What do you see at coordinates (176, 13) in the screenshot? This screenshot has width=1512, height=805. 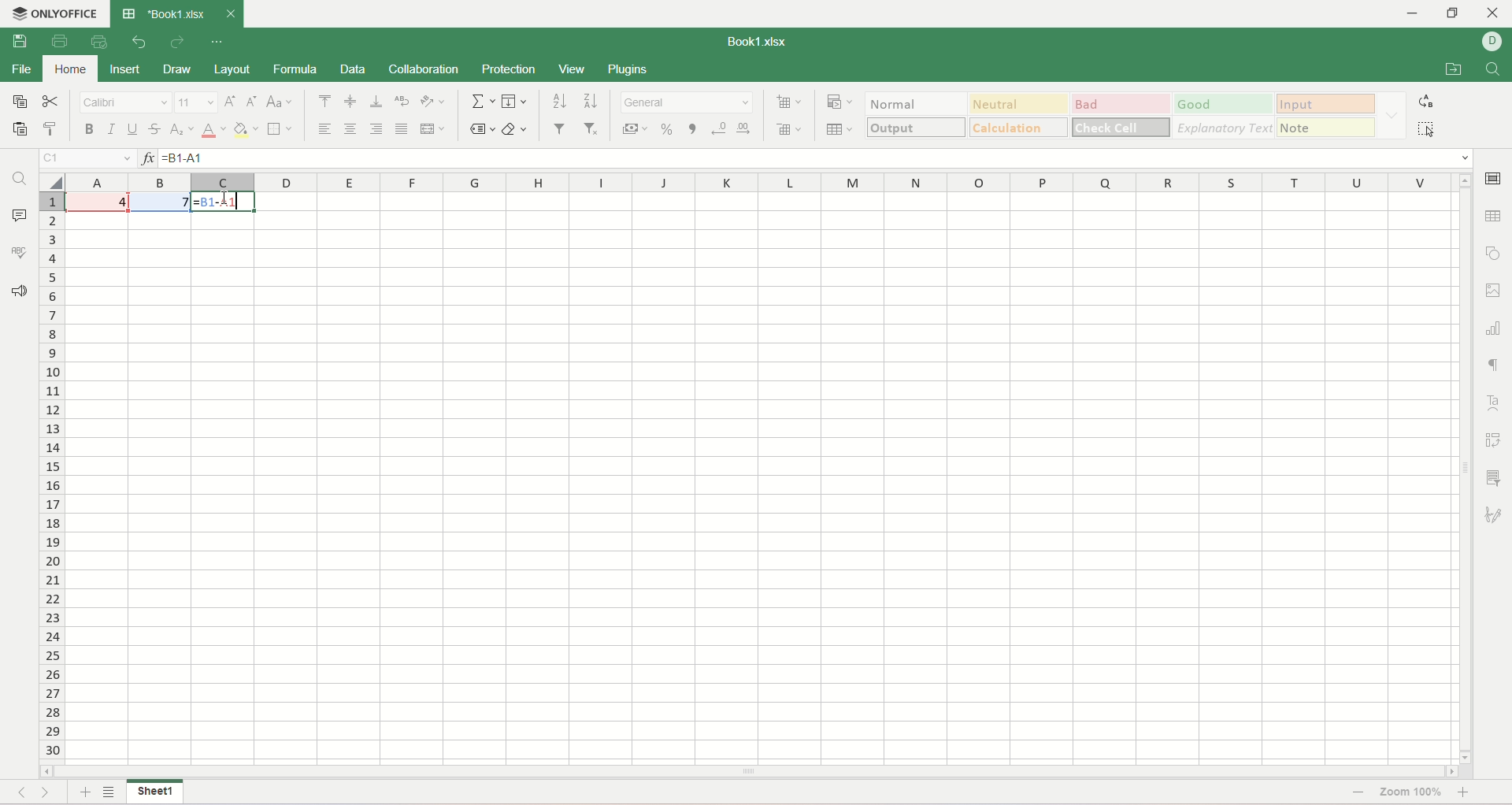 I see `book1.docx` at bounding box center [176, 13].